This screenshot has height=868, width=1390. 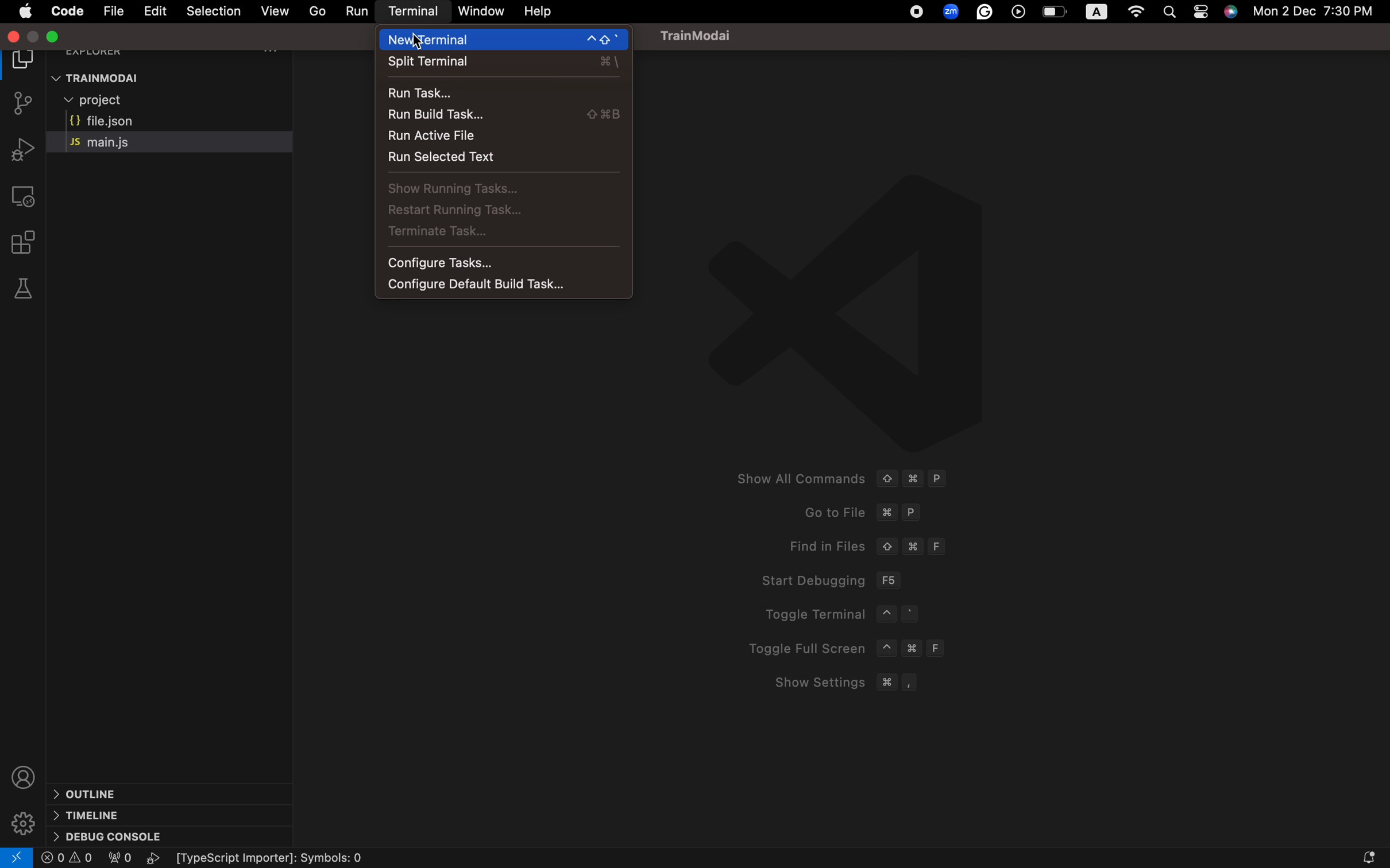 What do you see at coordinates (123, 142) in the screenshot?
I see `main js` at bounding box center [123, 142].